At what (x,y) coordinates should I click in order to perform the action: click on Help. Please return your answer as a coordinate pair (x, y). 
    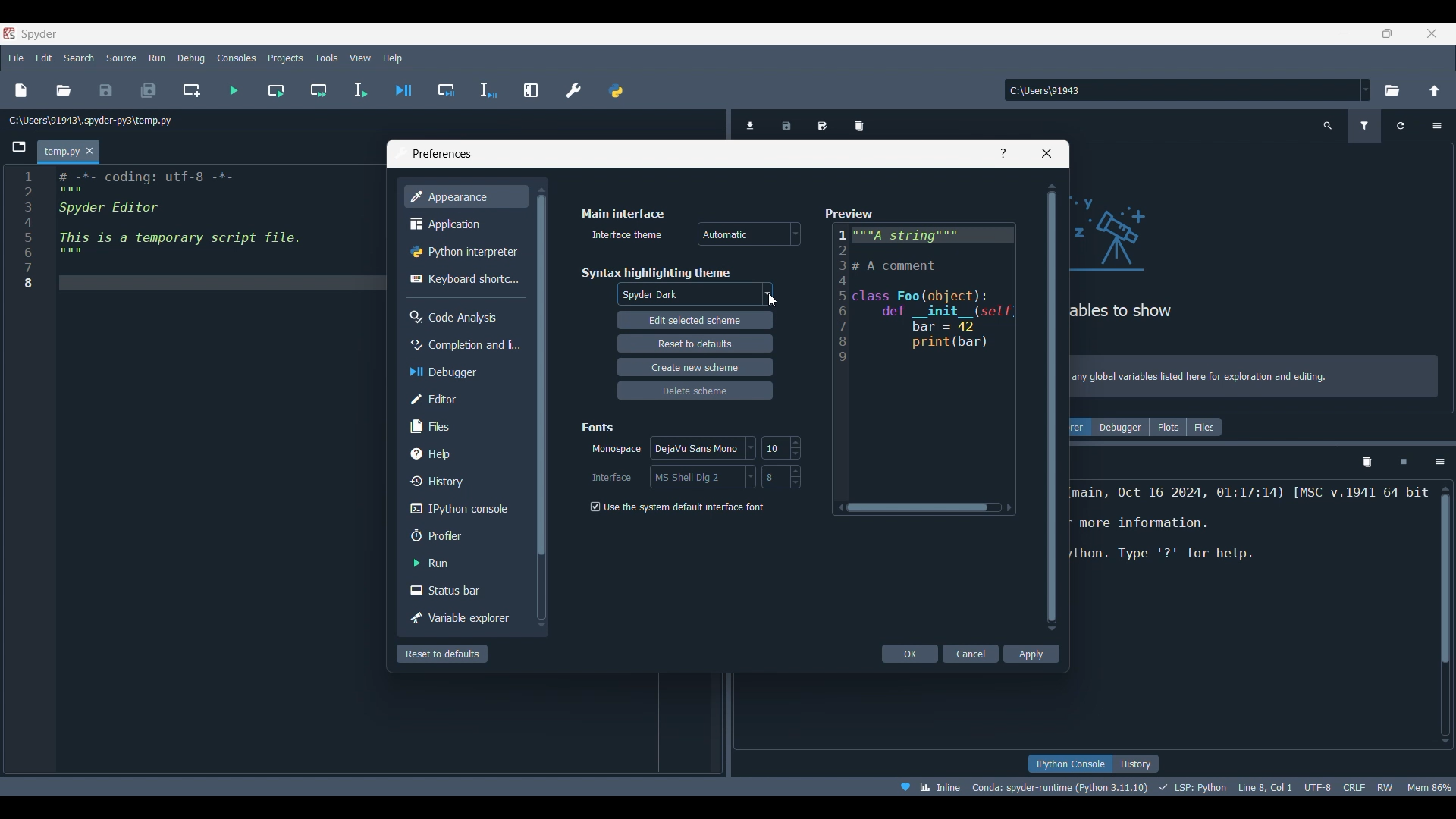
    Looking at the image, I should click on (1003, 153).